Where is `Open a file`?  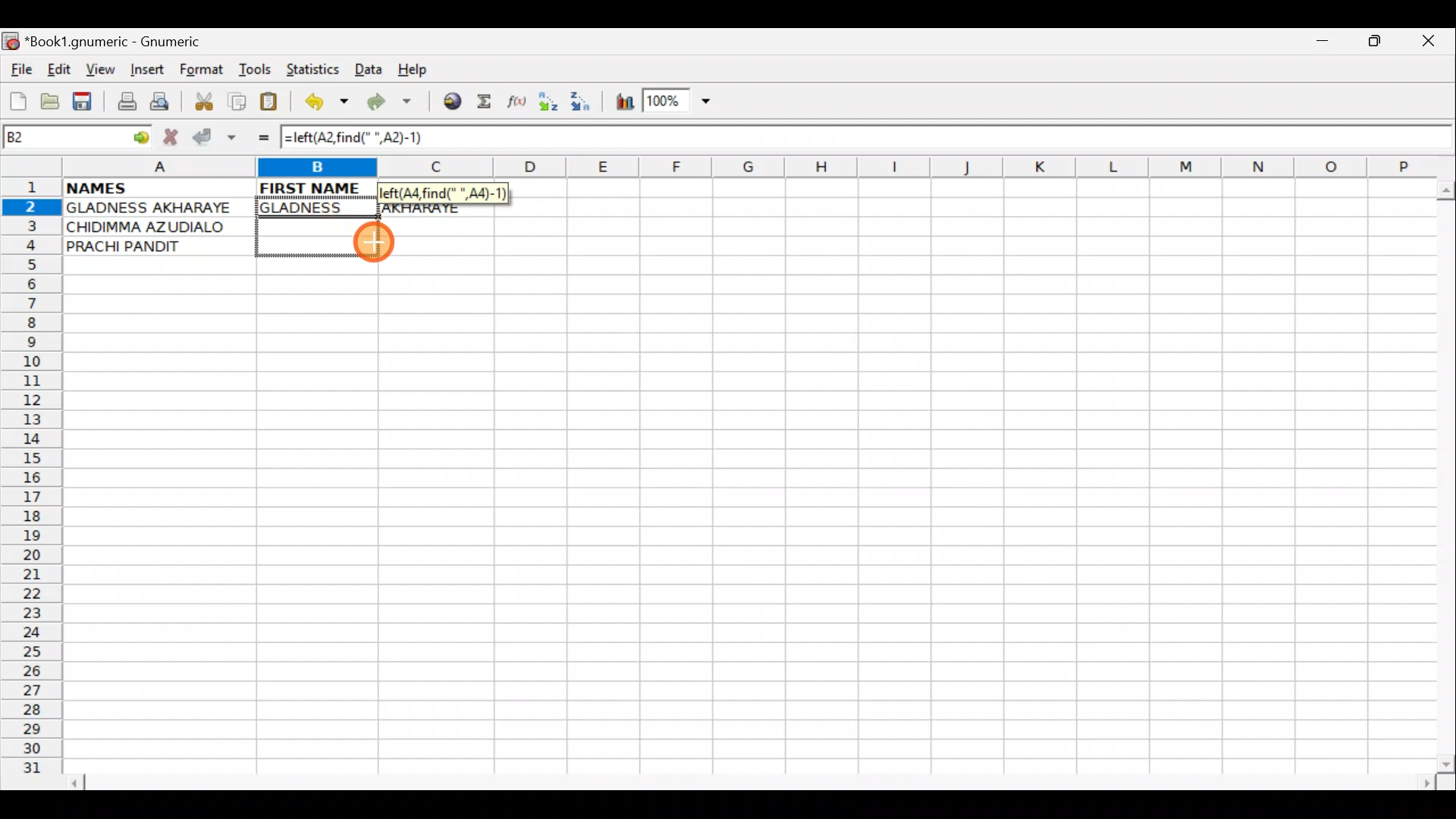 Open a file is located at coordinates (53, 99).